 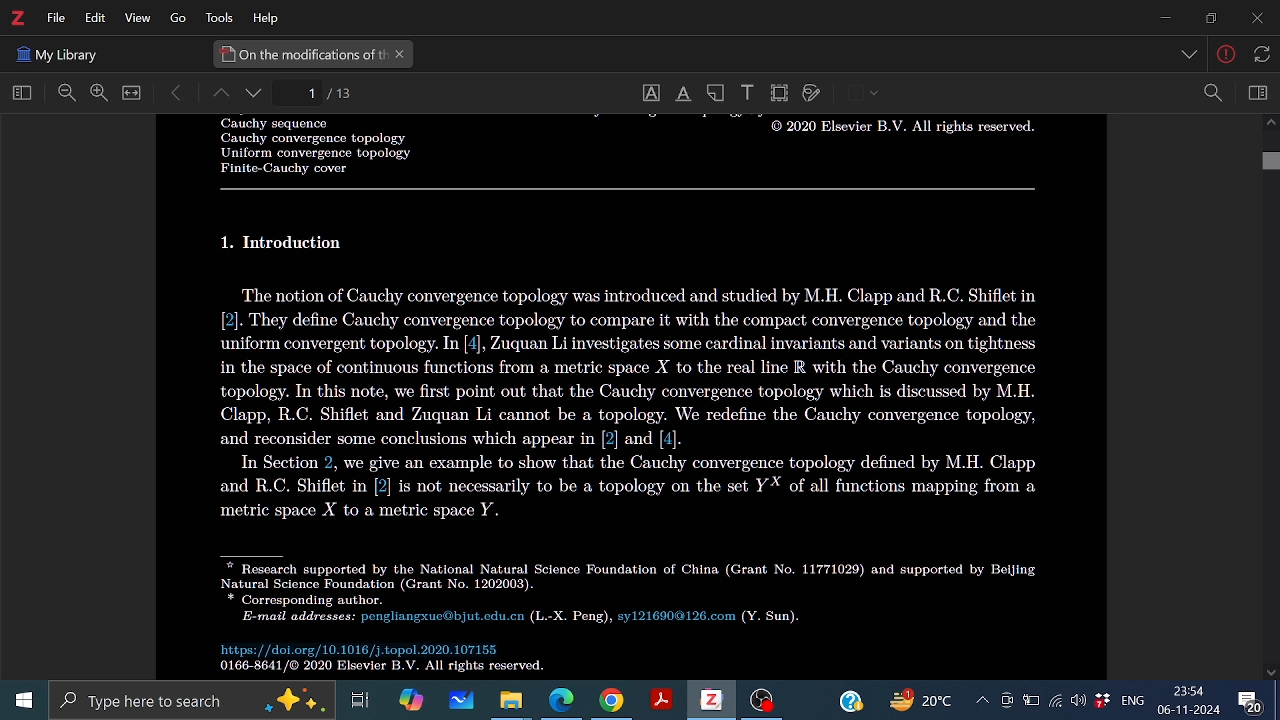 What do you see at coordinates (1257, 699) in the screenshot?
I see `Comment` at bounding box center [1257, 699].